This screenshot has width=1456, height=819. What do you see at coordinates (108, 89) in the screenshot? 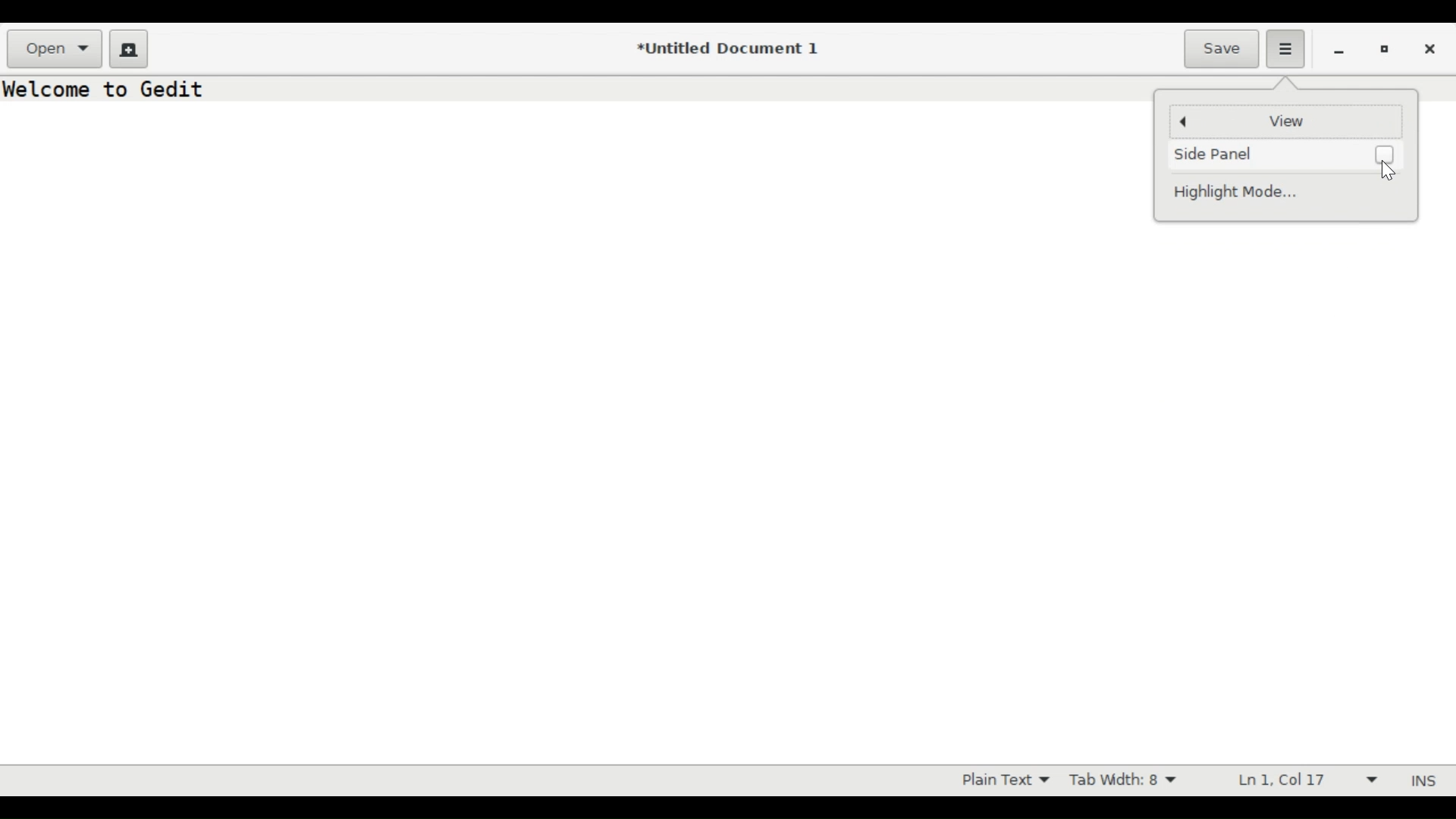
I see `Welcome to Gedit` at bounding box center [108, 89].